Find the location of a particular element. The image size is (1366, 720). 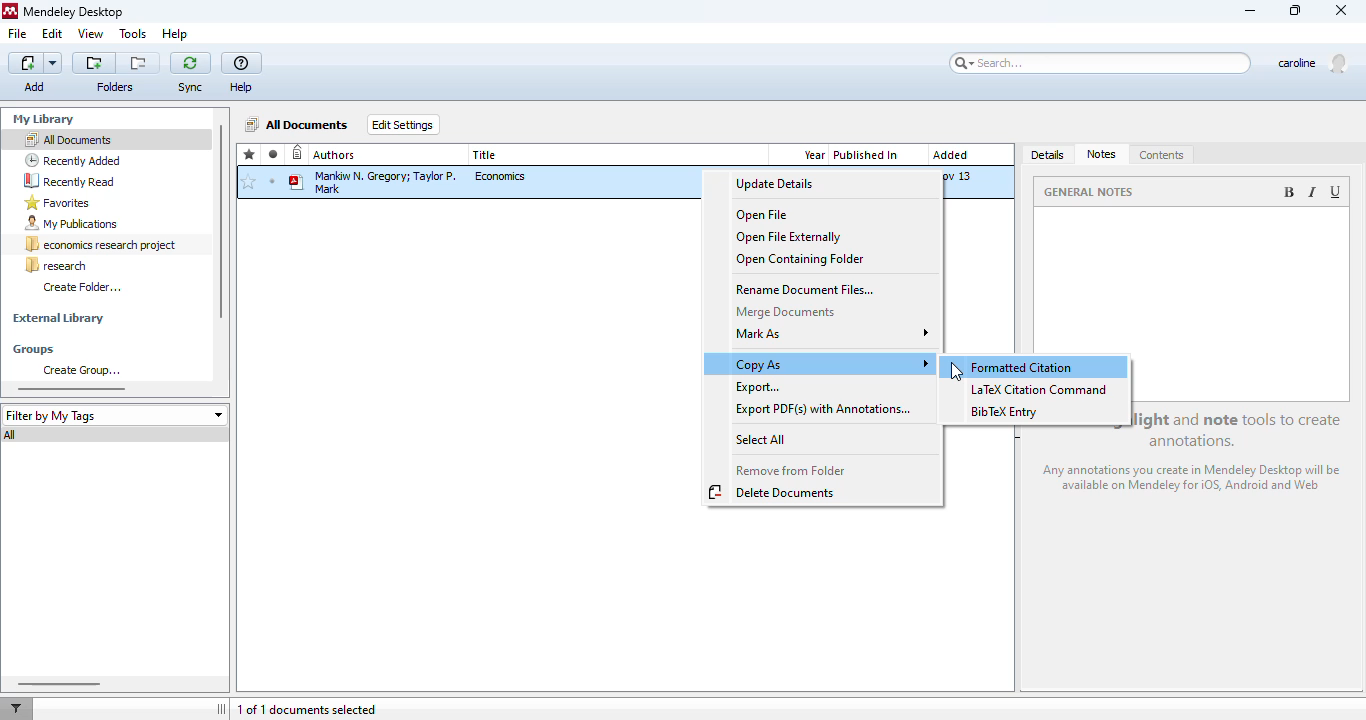

create group is located at coordinates (81, 370).